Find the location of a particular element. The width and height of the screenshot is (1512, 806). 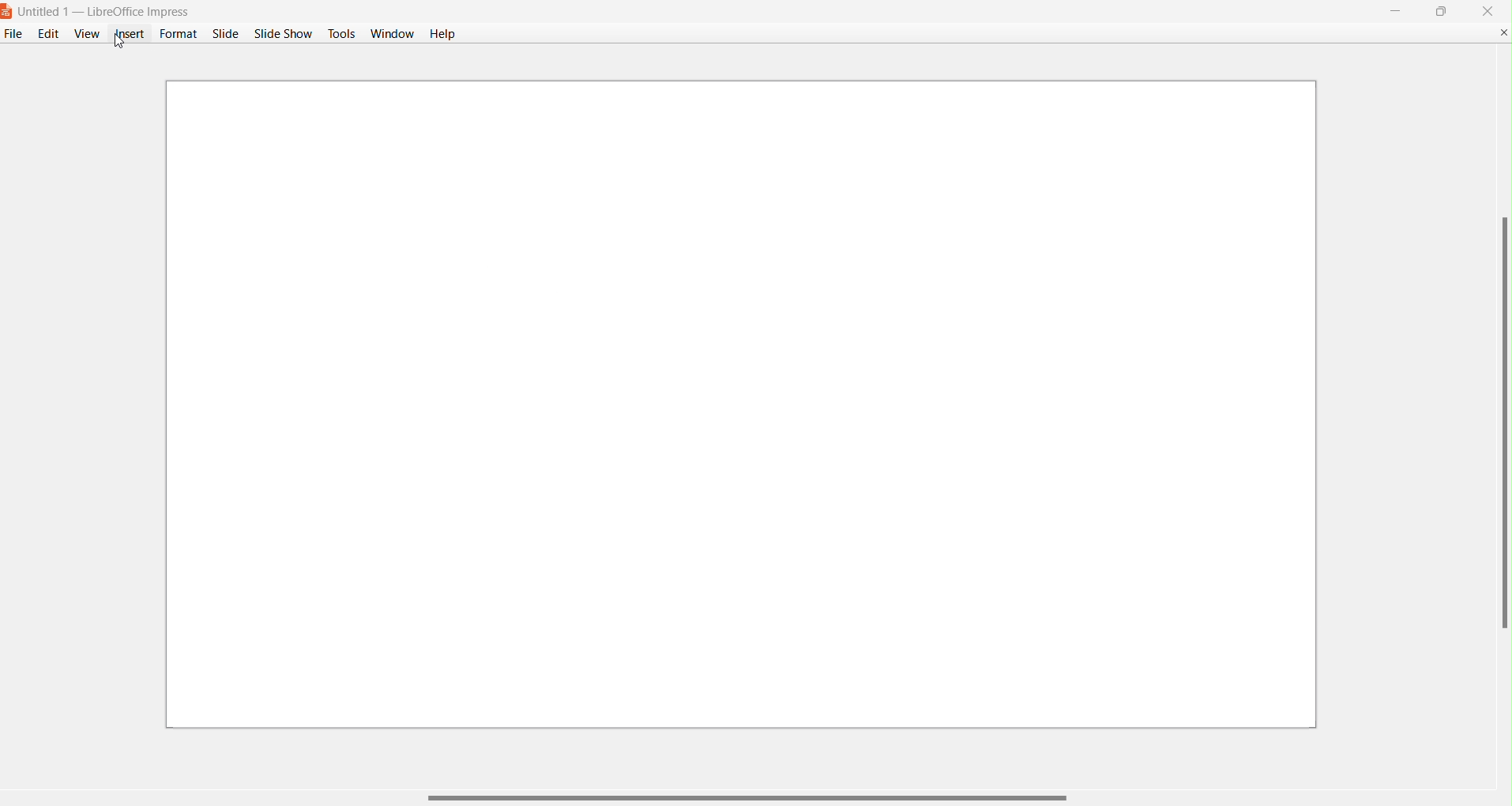

Insert is located at coordinates (127, 36).